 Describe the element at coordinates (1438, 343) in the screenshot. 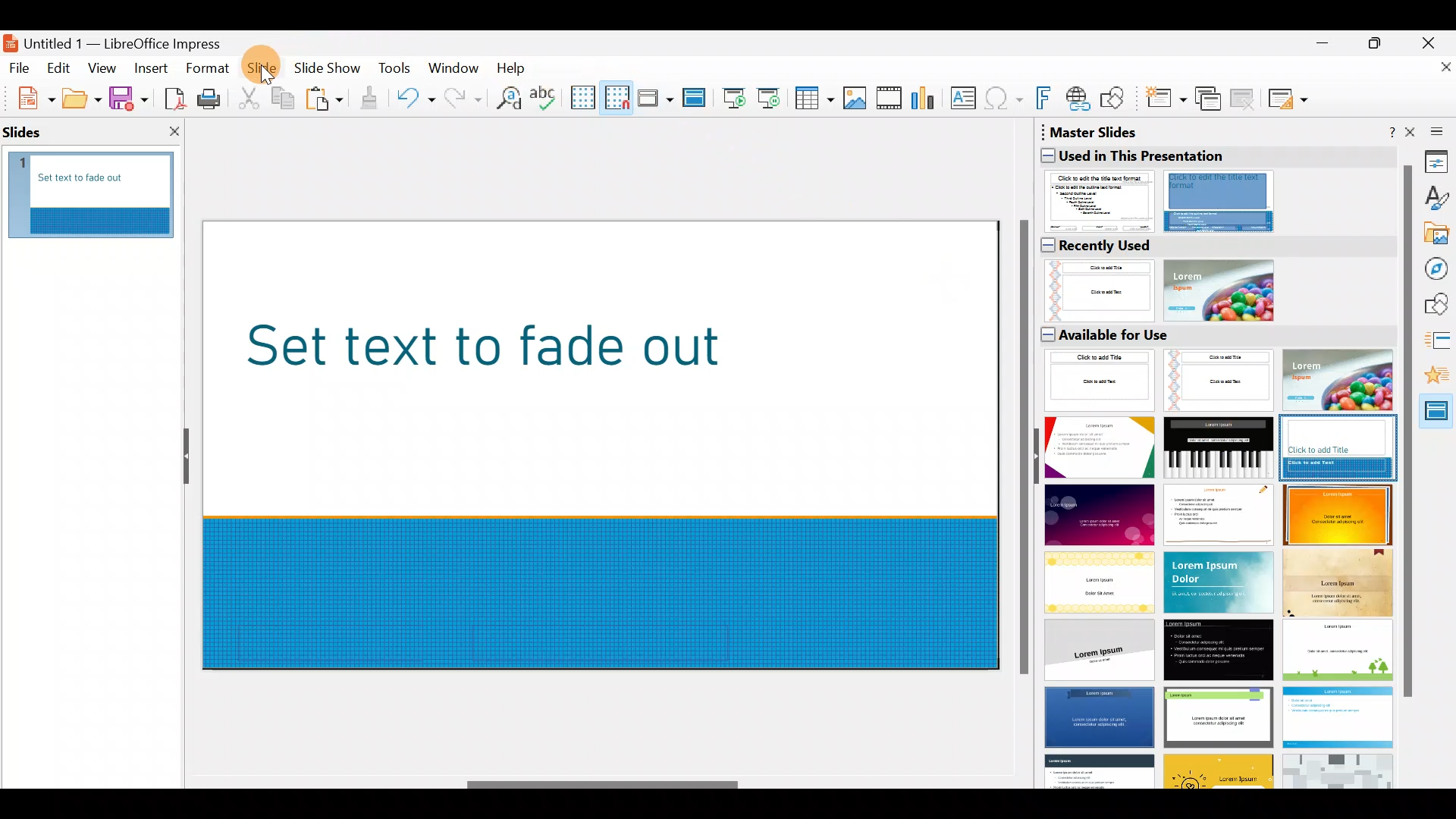

I see `Slide transition` at that location.